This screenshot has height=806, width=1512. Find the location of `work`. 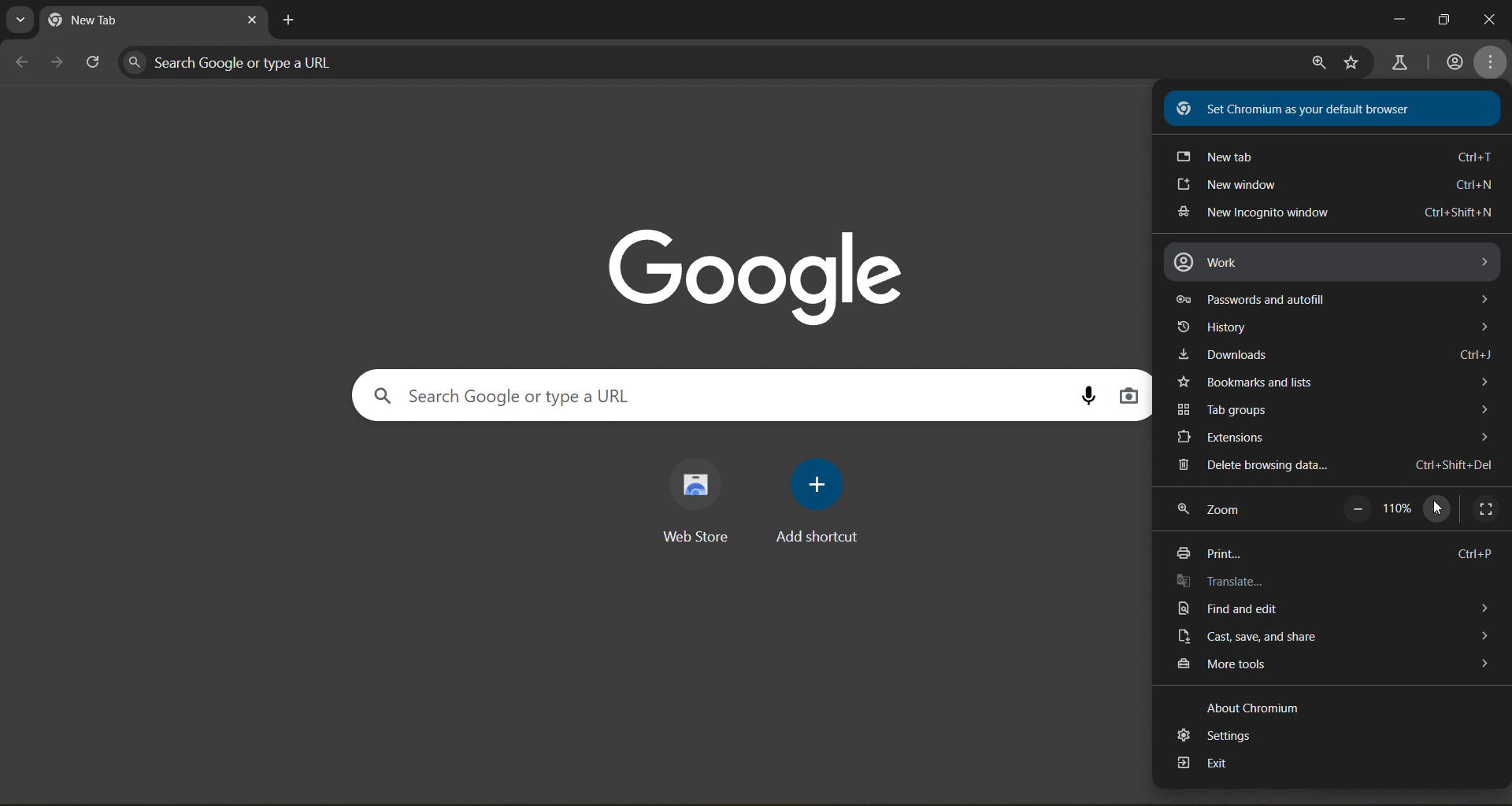

work is located at coordinates (1333, 262).